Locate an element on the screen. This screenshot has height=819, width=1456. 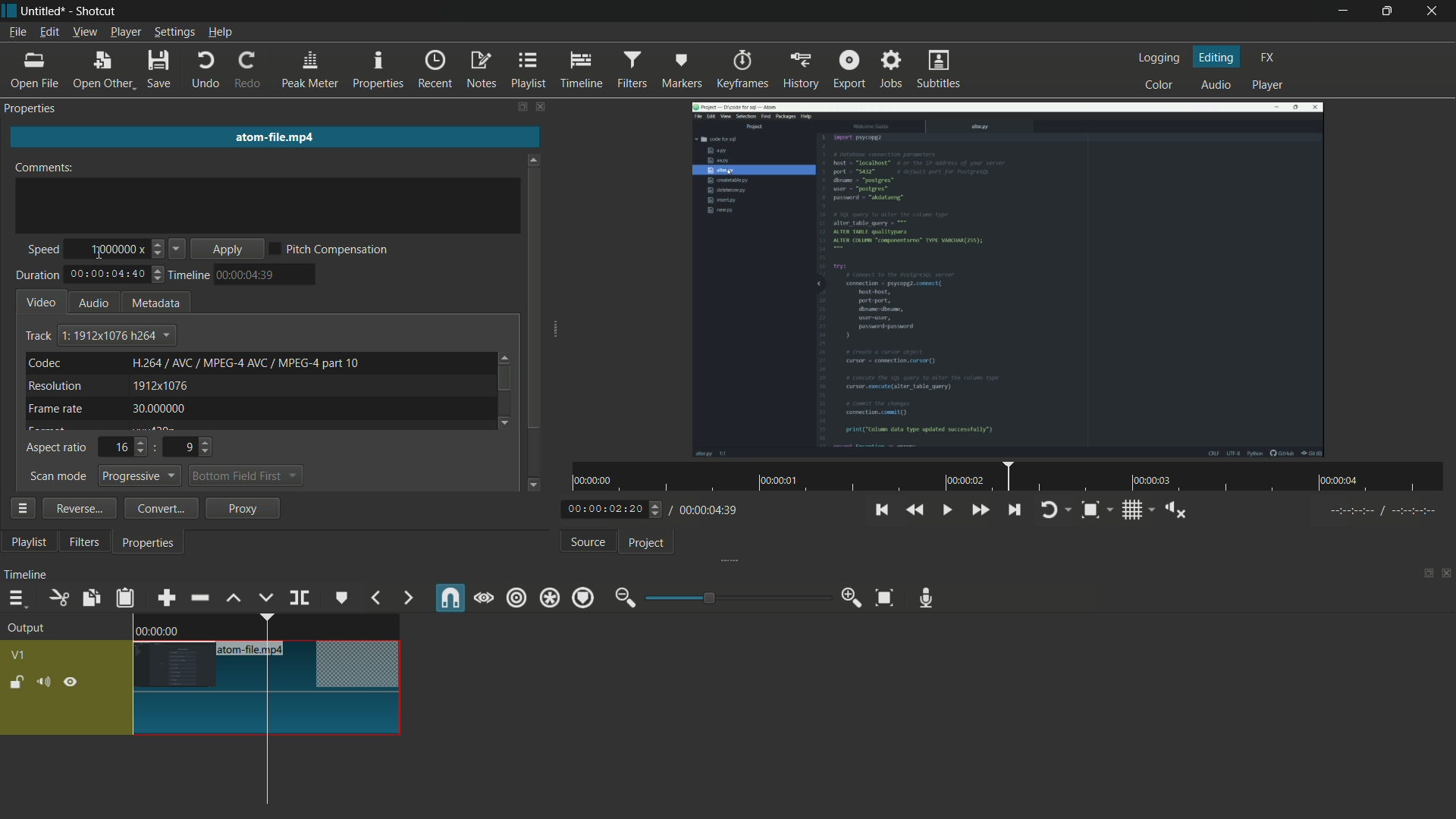
save is located at coordinates (161, 70).